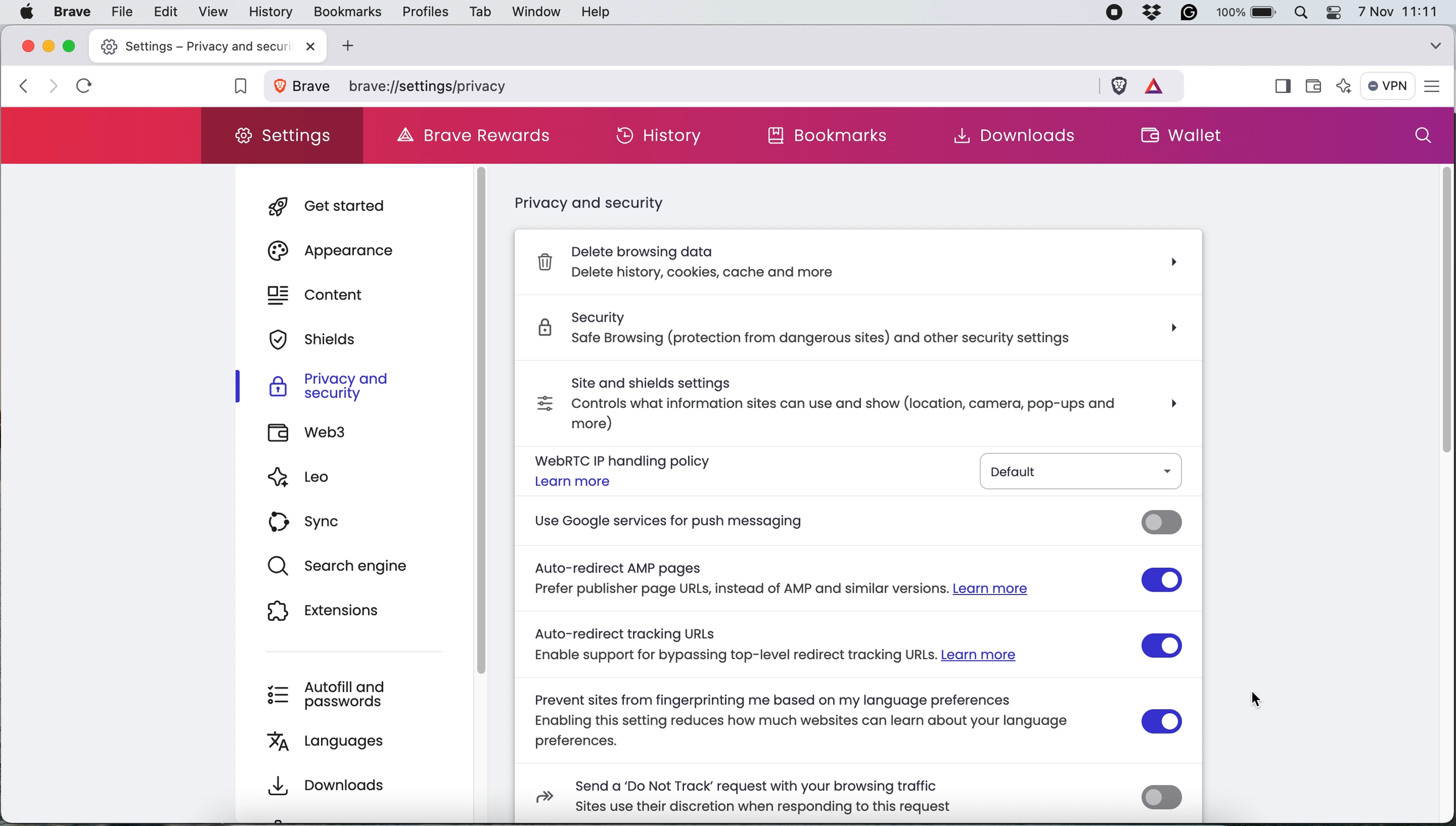 The height and width of the screenshot is (826, 1456). I want to click on privacy and security, so click(601, 202).